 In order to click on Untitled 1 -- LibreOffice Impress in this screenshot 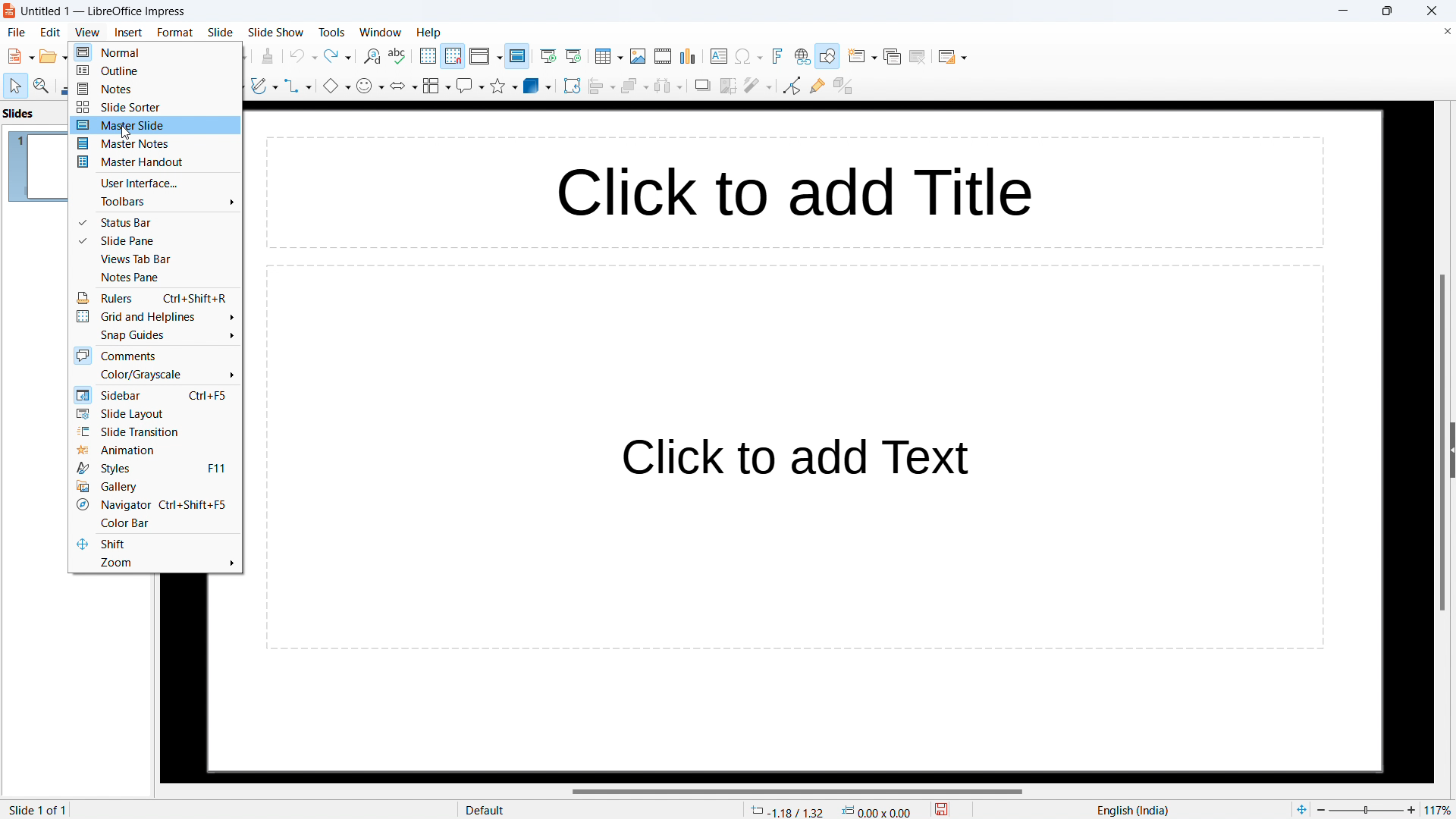, I will do `click(104, 11)`.